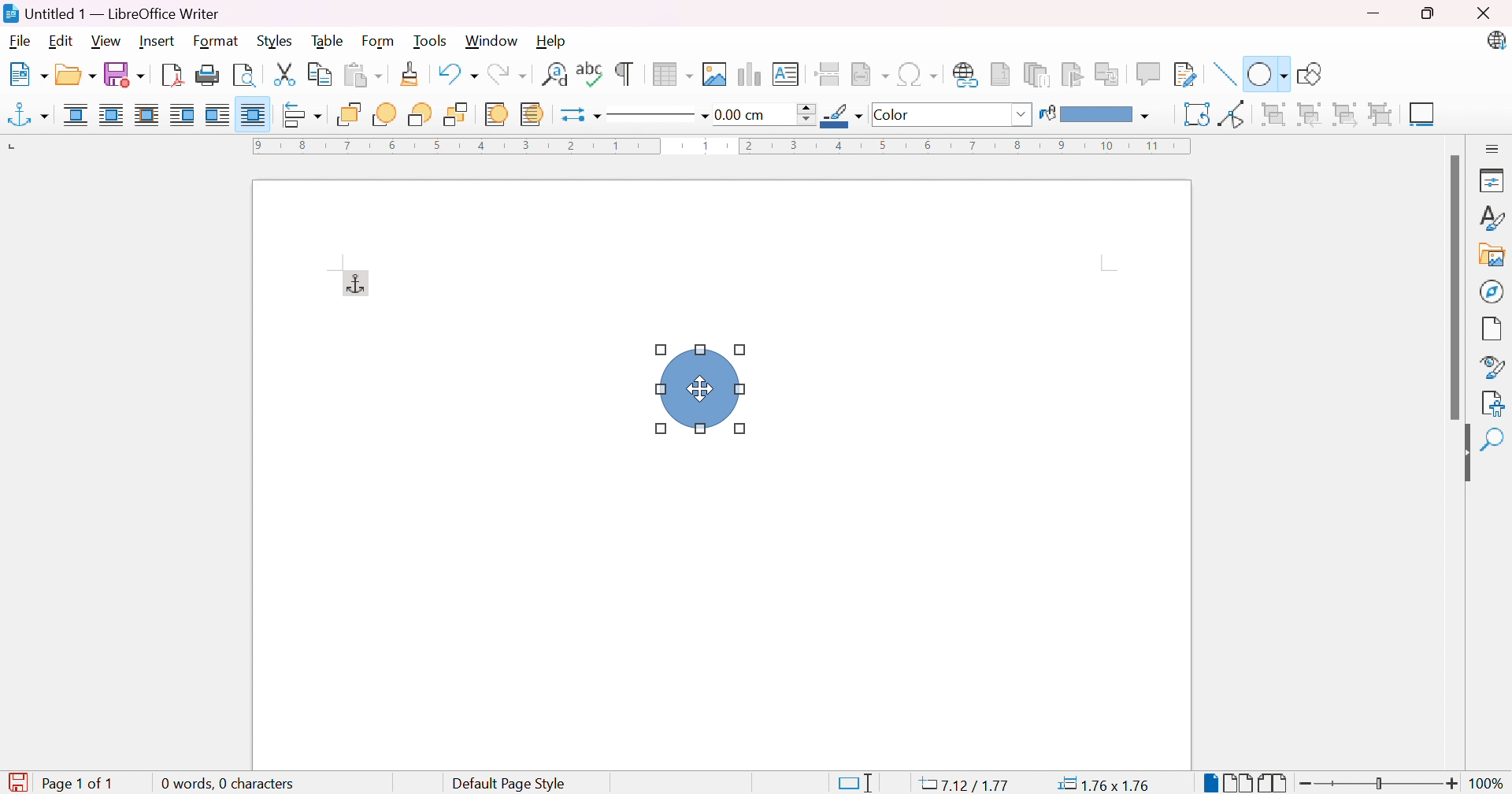 This screenshot has width=1512, height=794. What do you see at coordinates (379, 42) in the screenshot?
I see `Form` at bounding box center [379, 42].